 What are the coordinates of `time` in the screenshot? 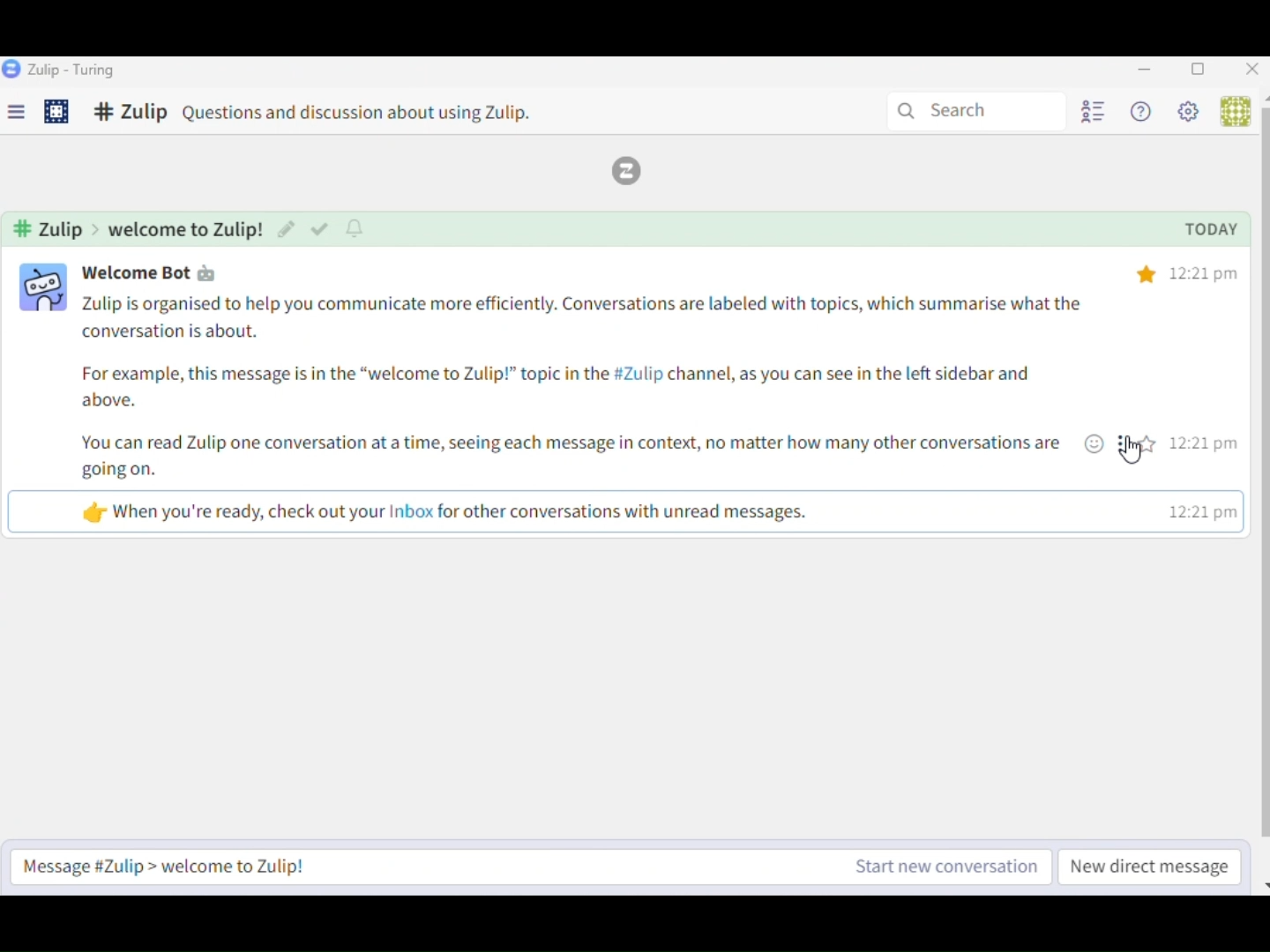 It's located at (1206, 393).